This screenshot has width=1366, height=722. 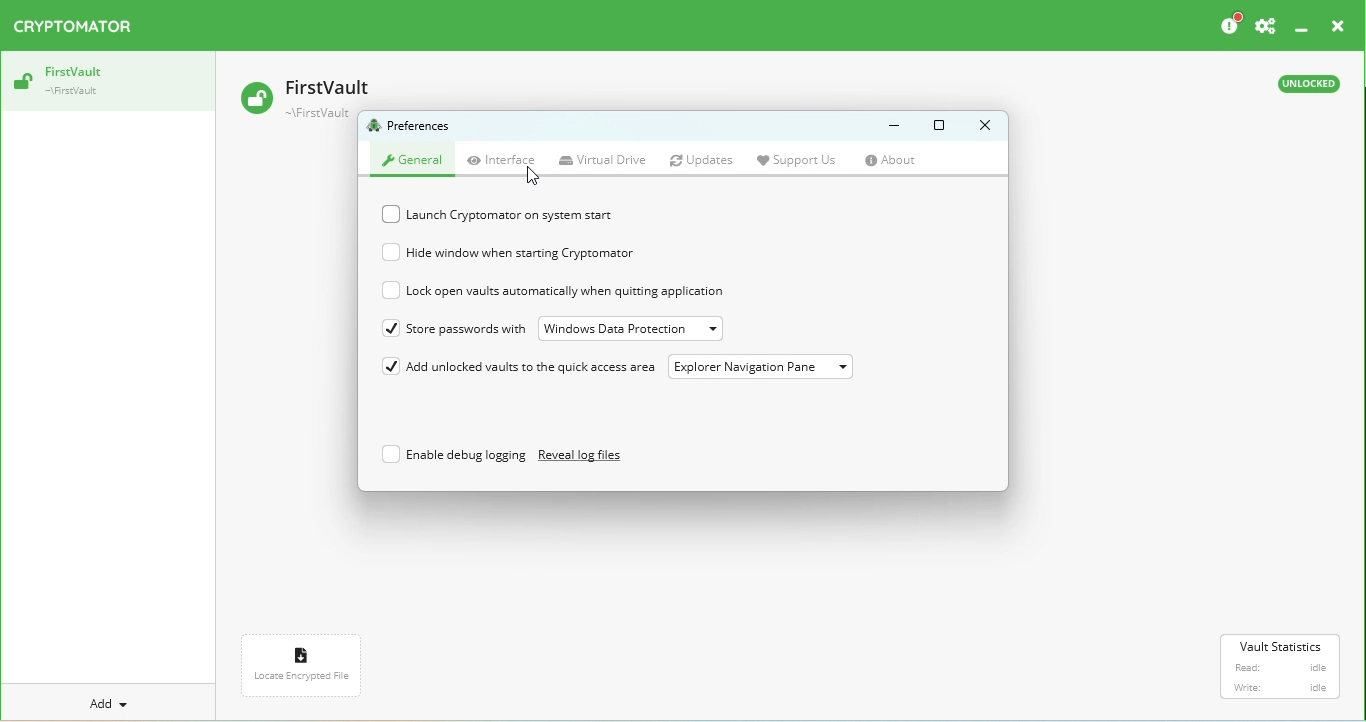 What do you see at coordinates (1283, 667) in the screenshot?
I see `Vault statistics` at bounding box center [1283, 667].